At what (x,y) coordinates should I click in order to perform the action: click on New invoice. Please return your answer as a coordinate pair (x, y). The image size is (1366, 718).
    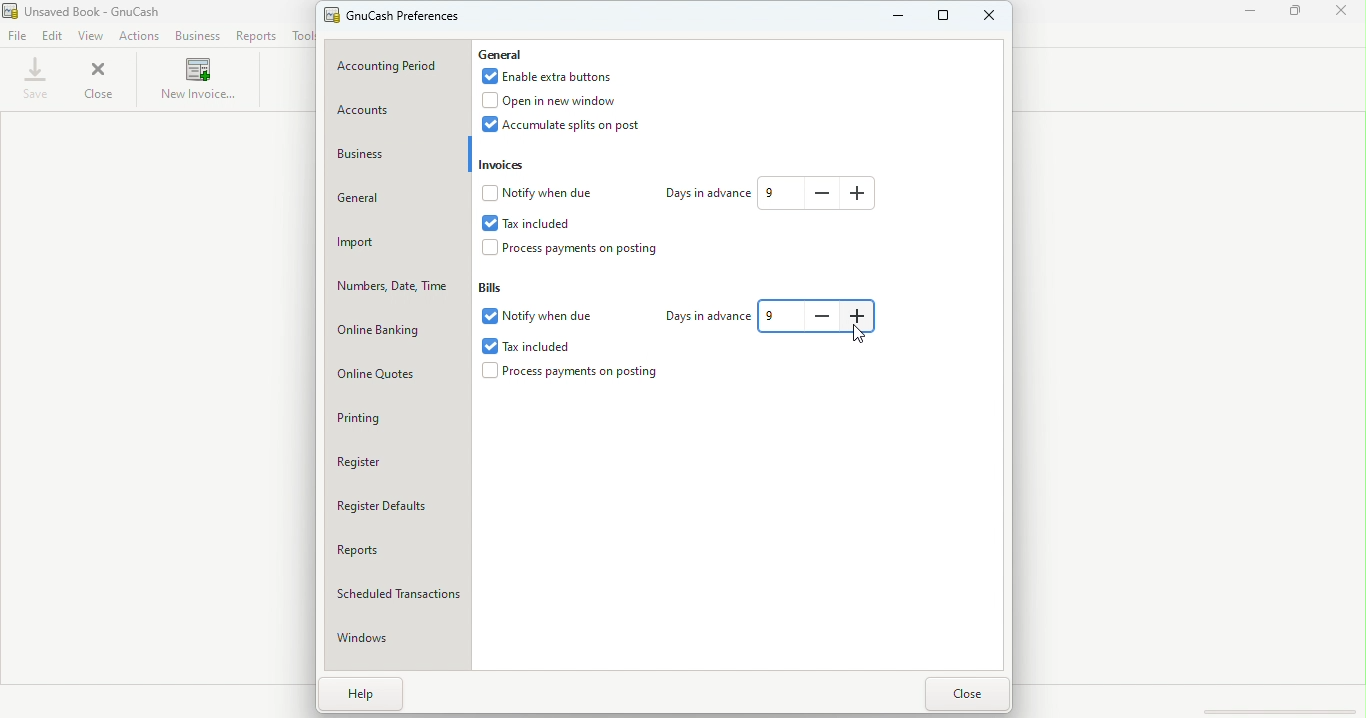
    Looking at the image, I should click on (195, 81).